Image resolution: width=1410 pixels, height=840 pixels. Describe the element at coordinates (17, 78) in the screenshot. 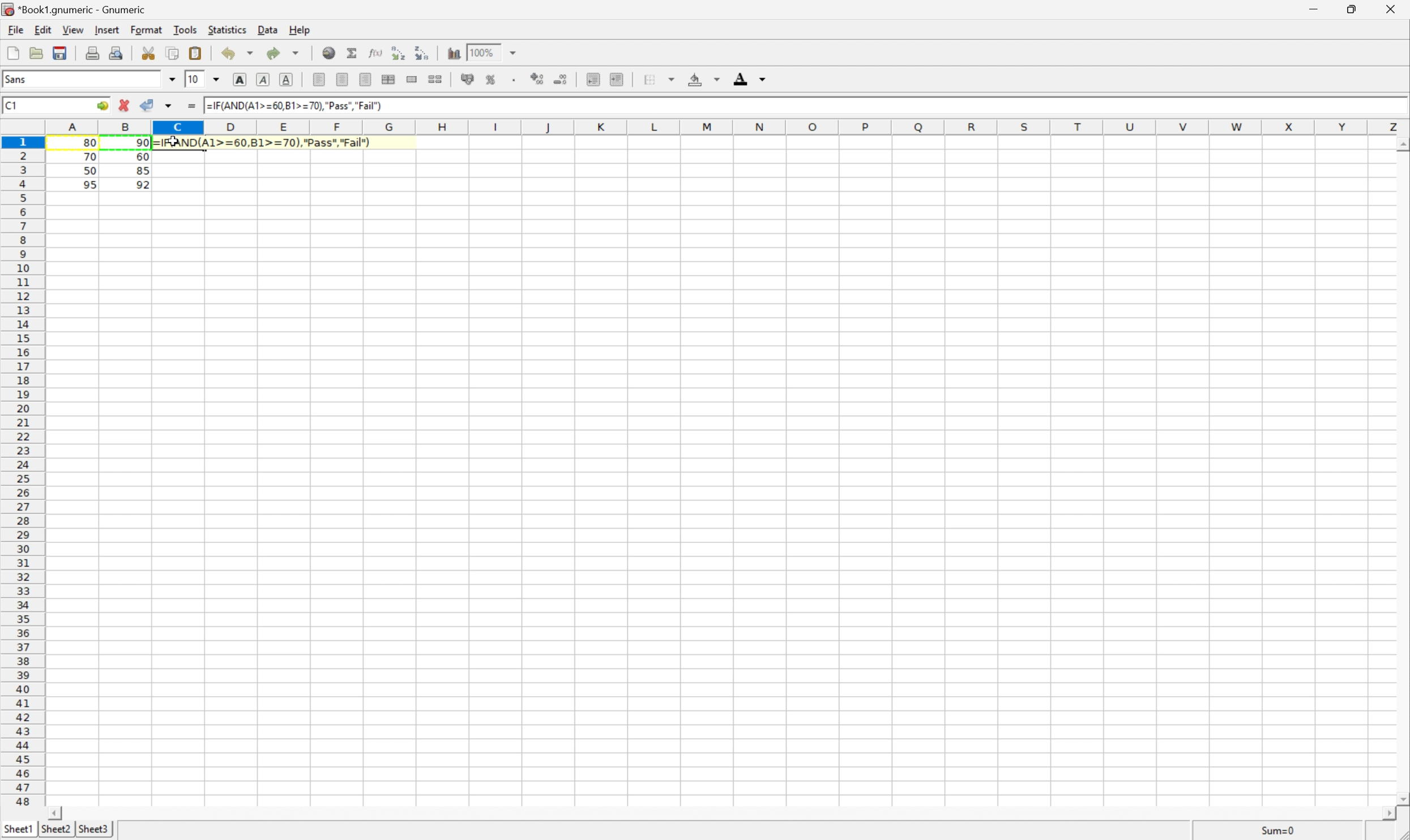

I see `Sans` at that location.